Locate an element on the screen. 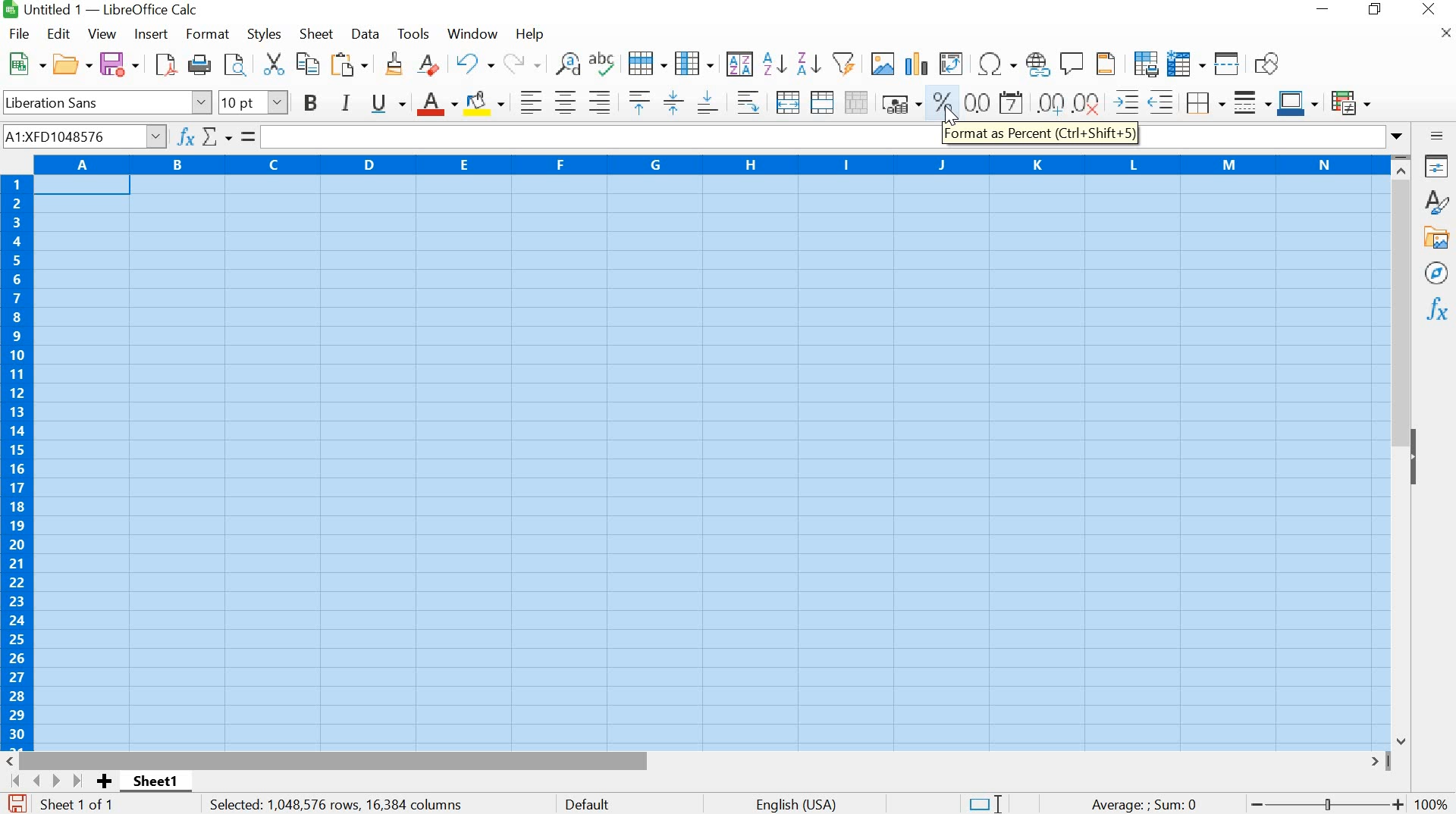 This screenshot has width=1456, height=814. UNDO is located at coordinates (473, 64).